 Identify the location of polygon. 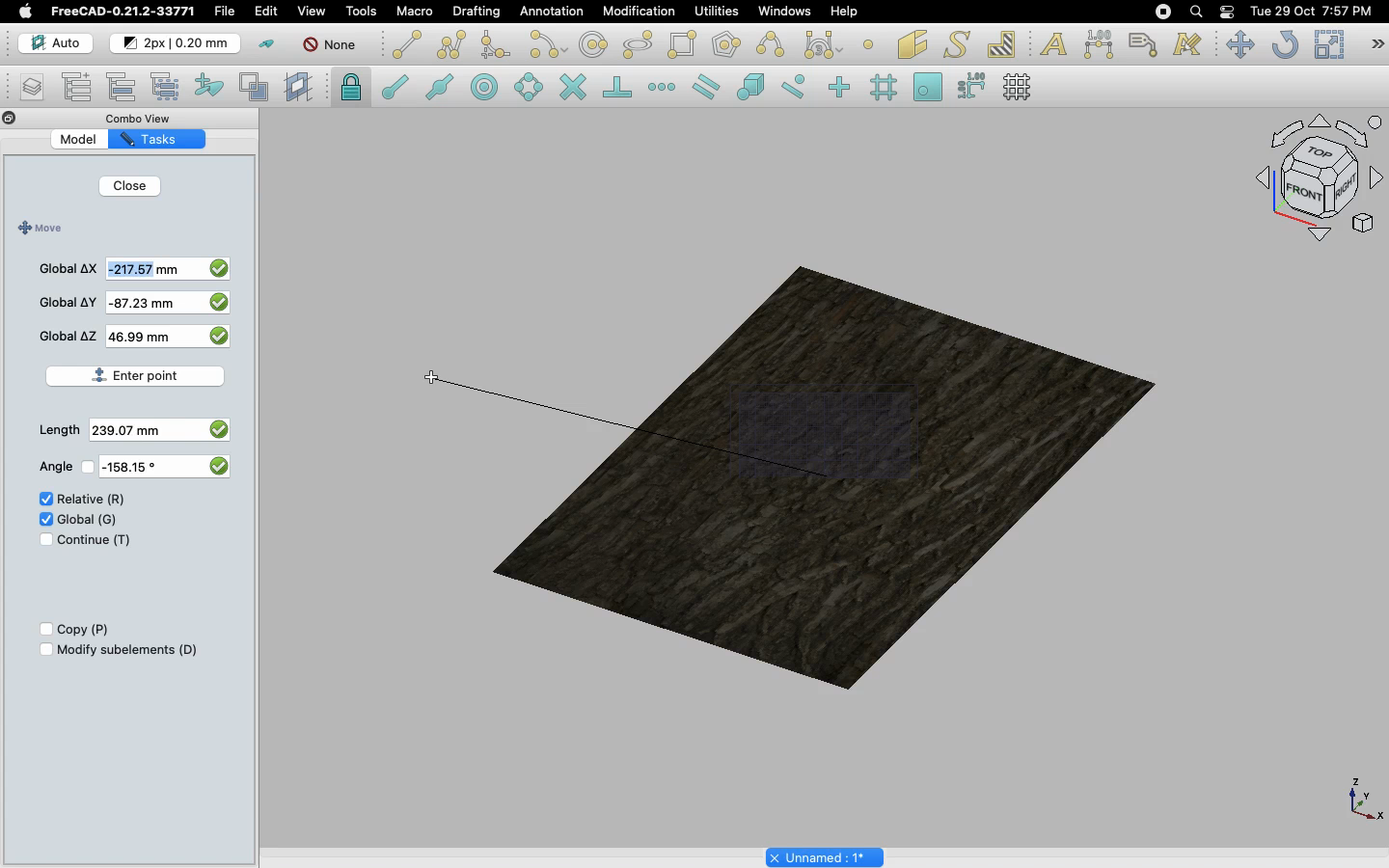
(639, 45).